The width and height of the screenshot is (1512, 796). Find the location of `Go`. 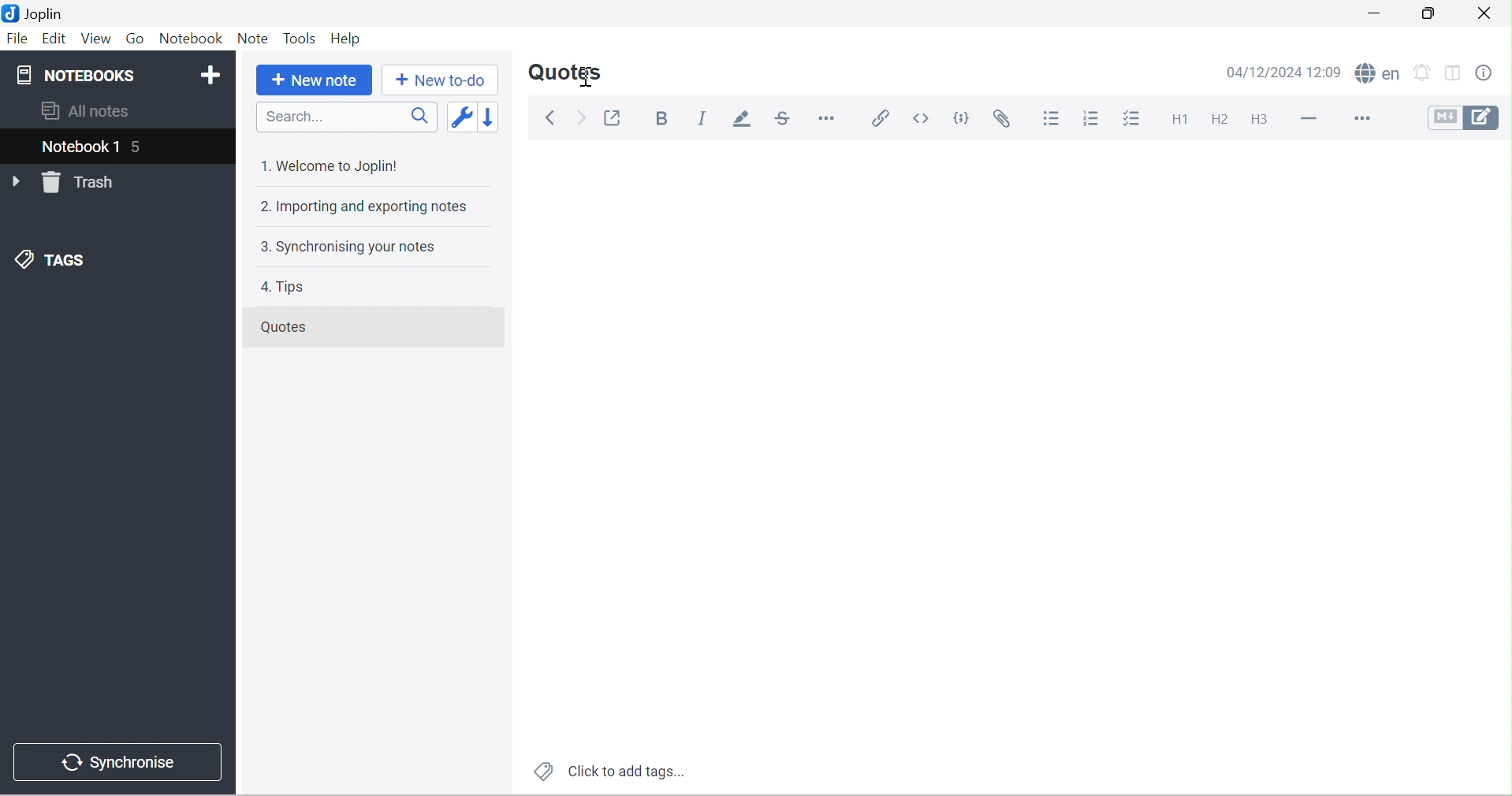

Go is located at coordinates (136, 38).